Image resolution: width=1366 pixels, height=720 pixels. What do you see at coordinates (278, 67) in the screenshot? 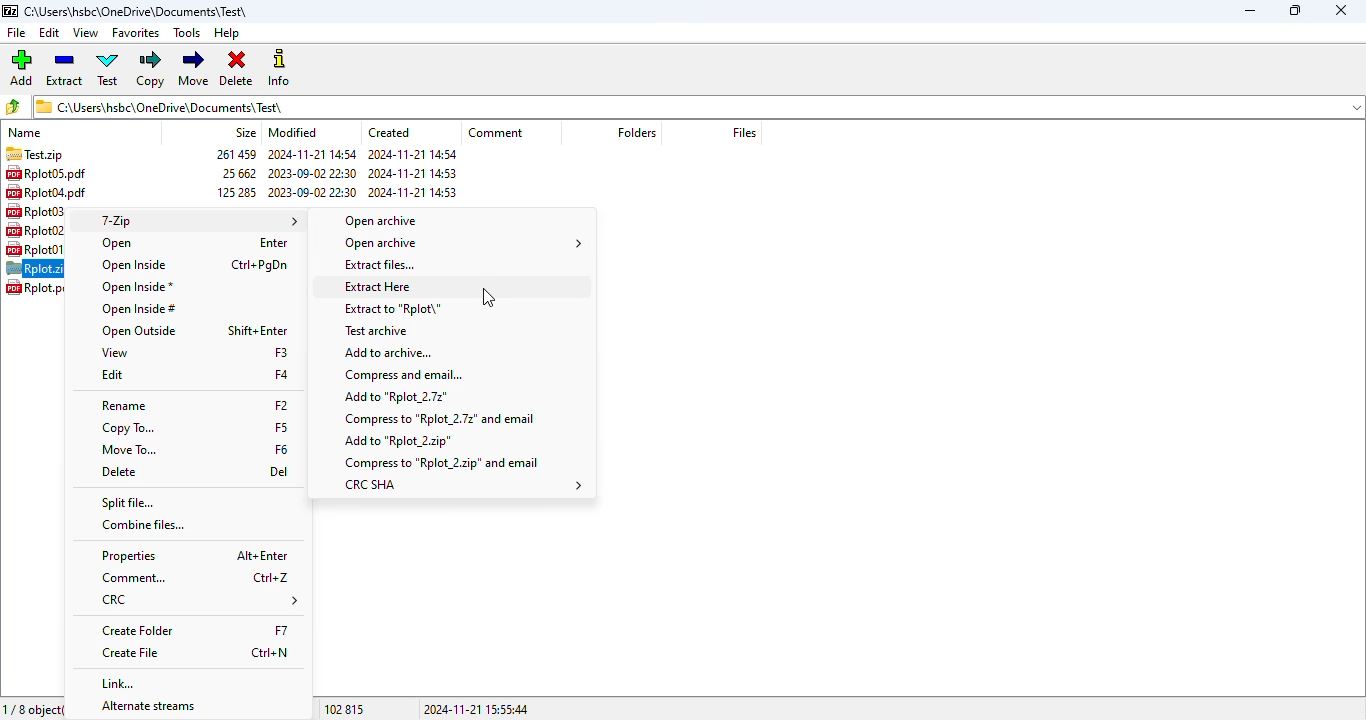
I see `info` at bounding box center [278, 67].